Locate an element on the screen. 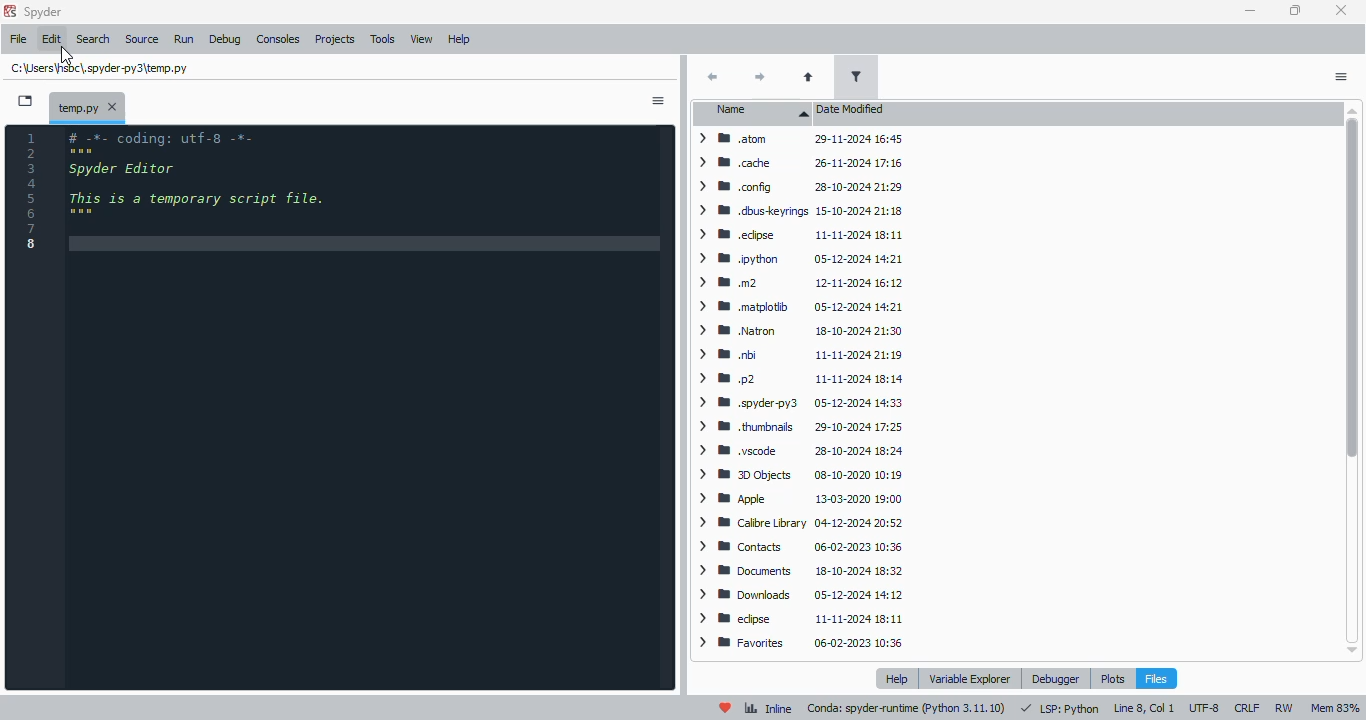 This screenshot has height=720, width=1366. parent is located at coordinates (807, 78).